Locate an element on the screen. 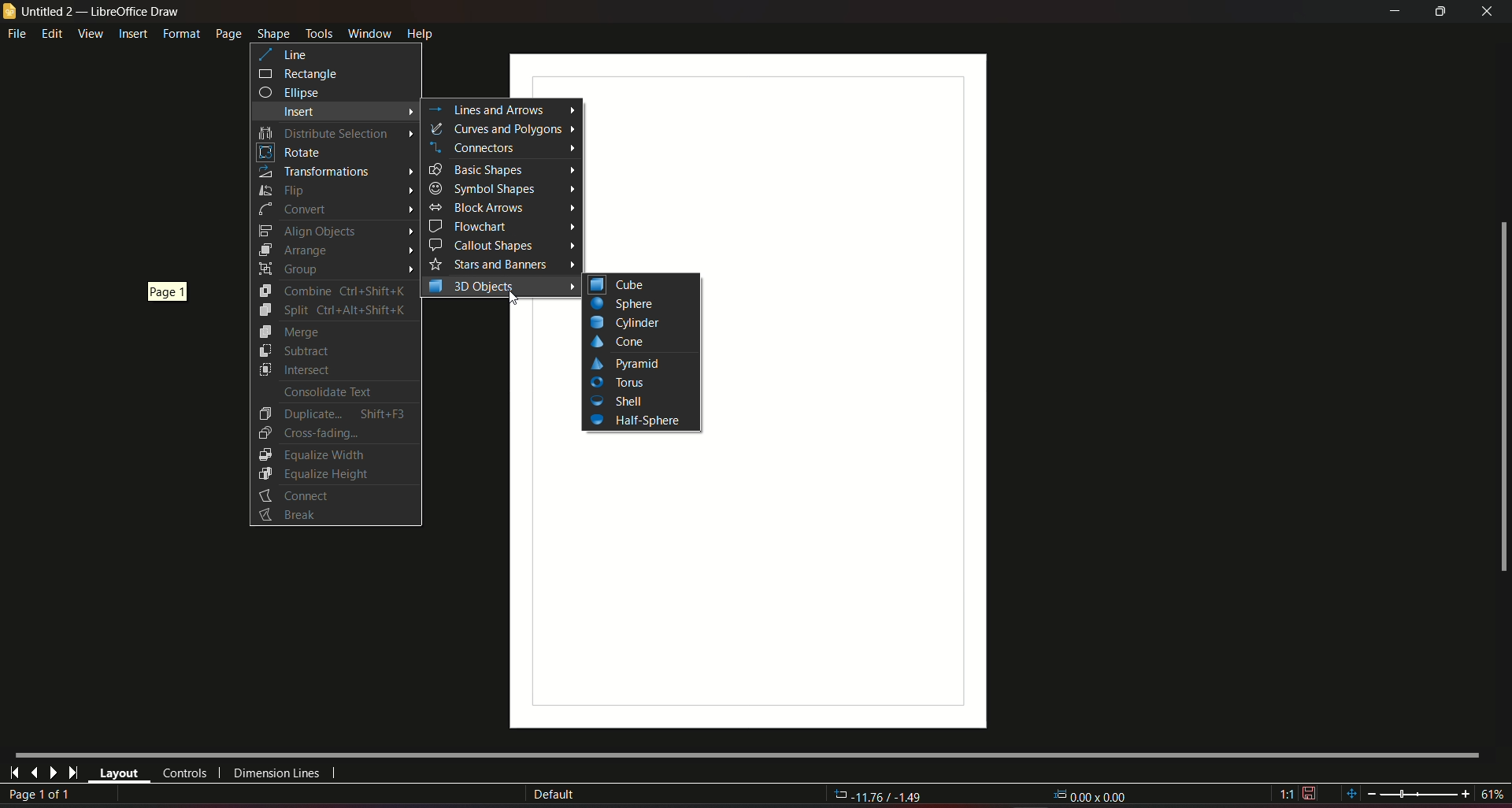 The image size is (1512, 808). zoom is located at coordinates (1423, 794).